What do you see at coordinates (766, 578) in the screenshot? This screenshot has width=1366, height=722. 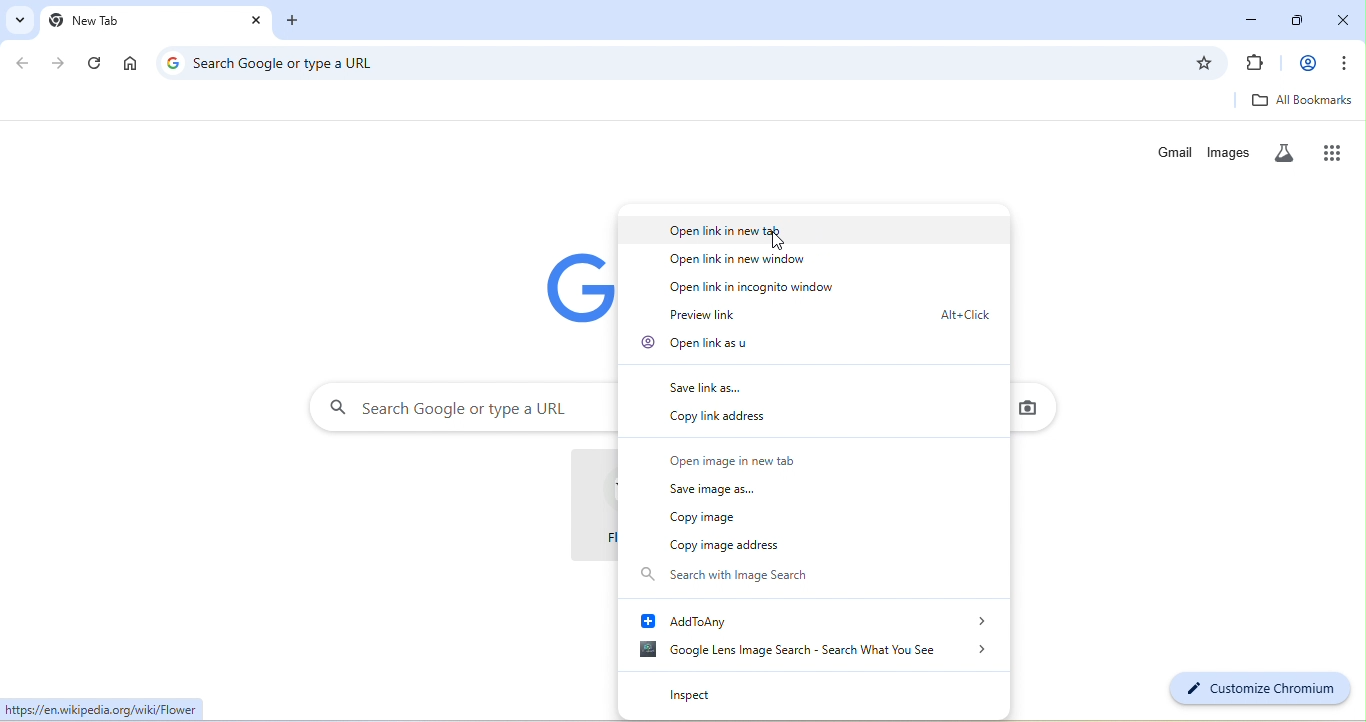 I see `search with image search` at bounding box center [766, 578].